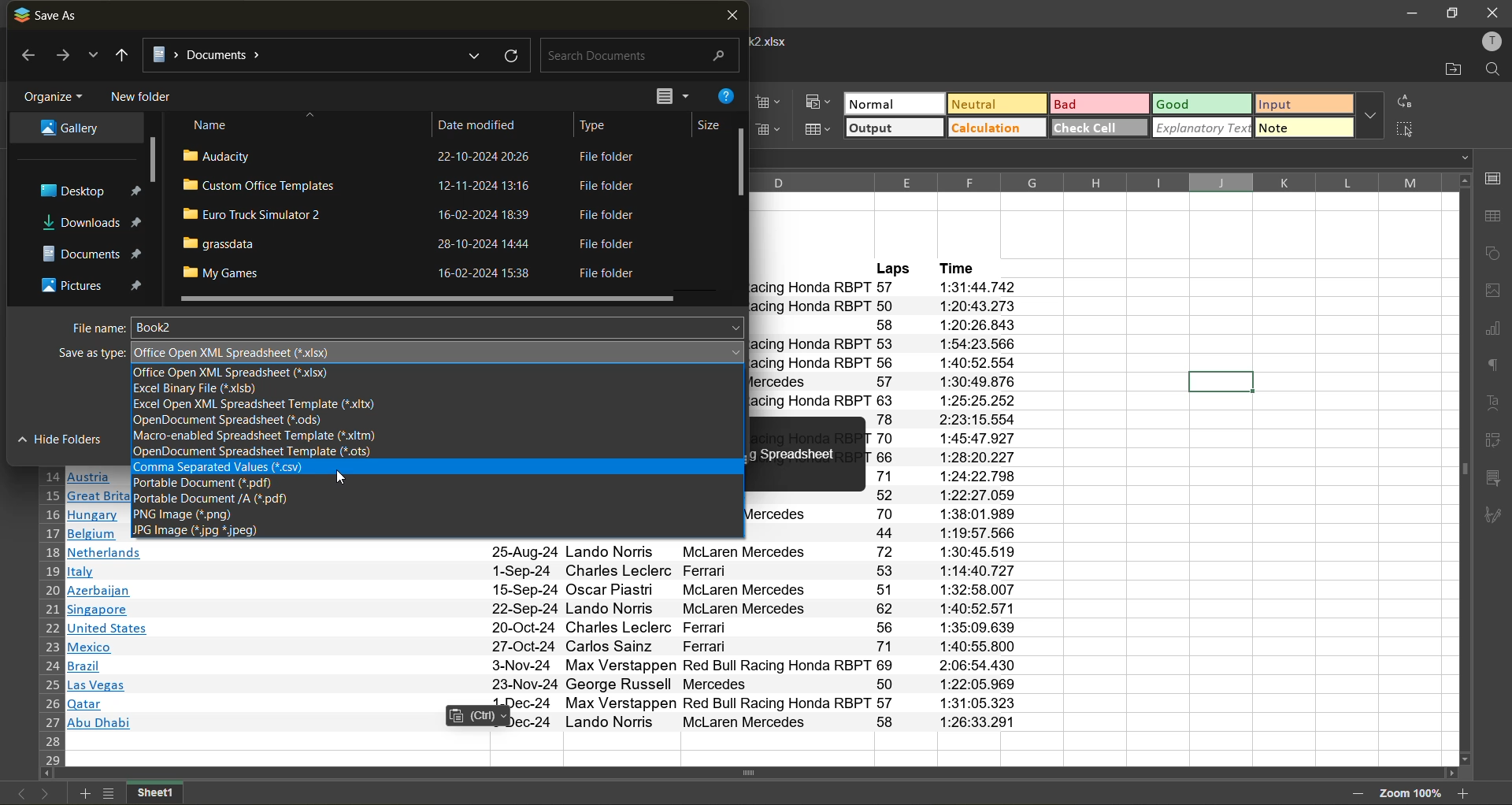 This screenshot has width=1512, height=805. Describe the element at coordinates (1493, 292) in the screenshot. I see `images` at that location.